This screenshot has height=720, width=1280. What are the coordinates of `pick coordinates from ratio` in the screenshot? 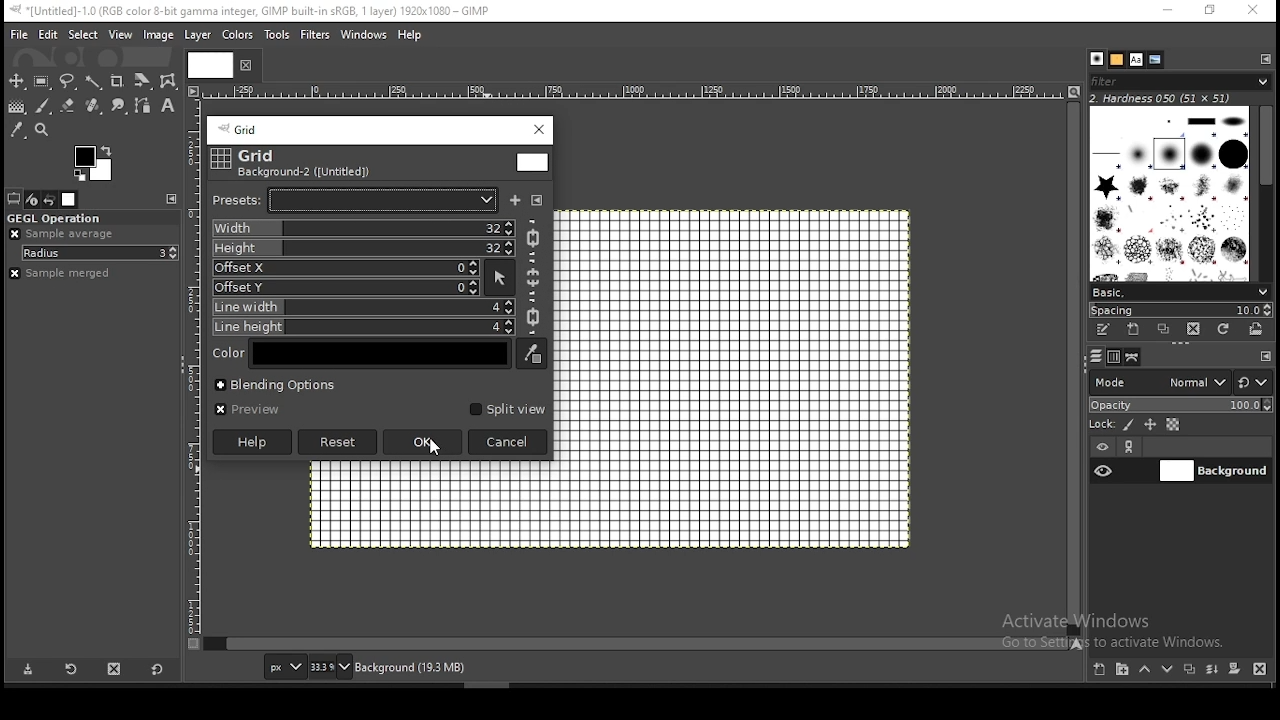 It's located at (500, 278).